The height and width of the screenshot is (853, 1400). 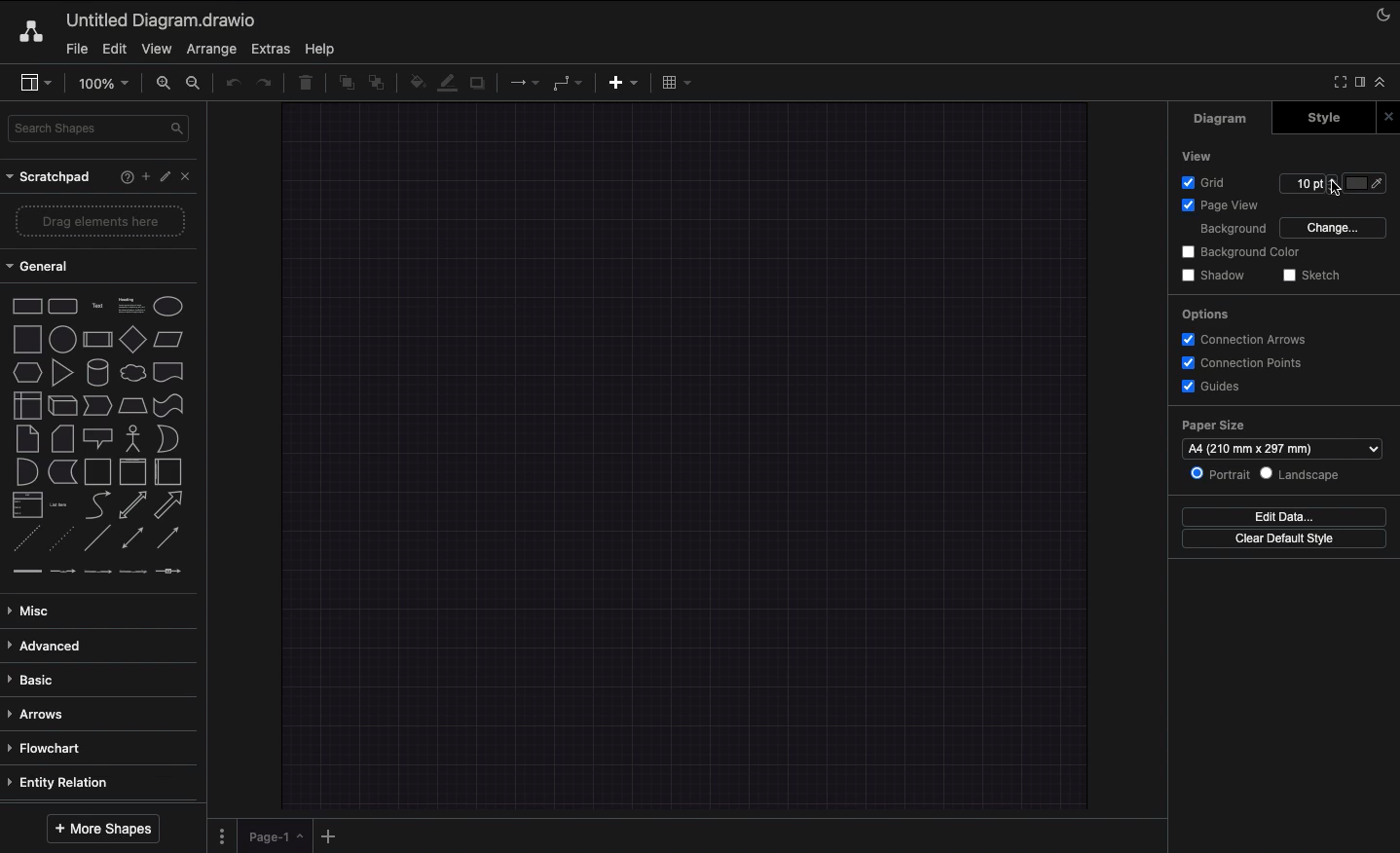 I want to click on Edit data, so click(x=1289, y=516).